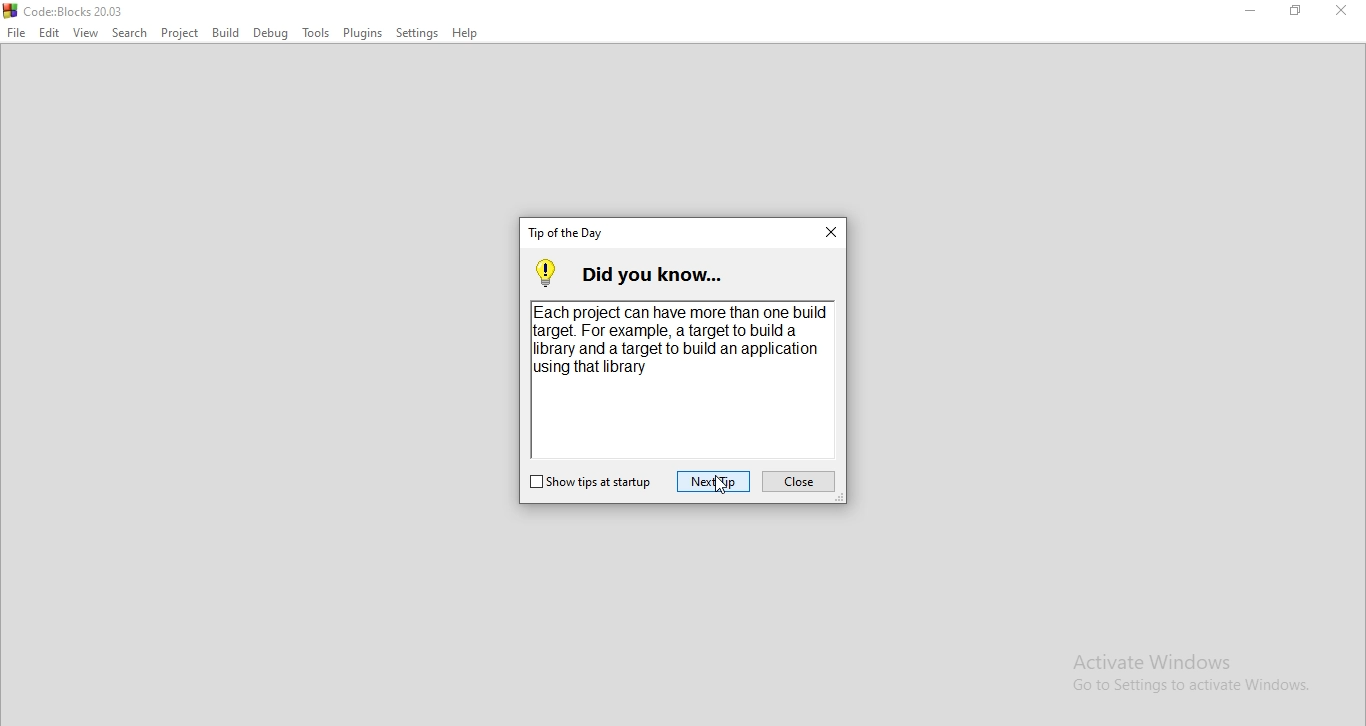 This screenshot has width=1366, height=726. Describe the element at coordinates (419, 34) in the screenshot. I see `Settings ` at that location.